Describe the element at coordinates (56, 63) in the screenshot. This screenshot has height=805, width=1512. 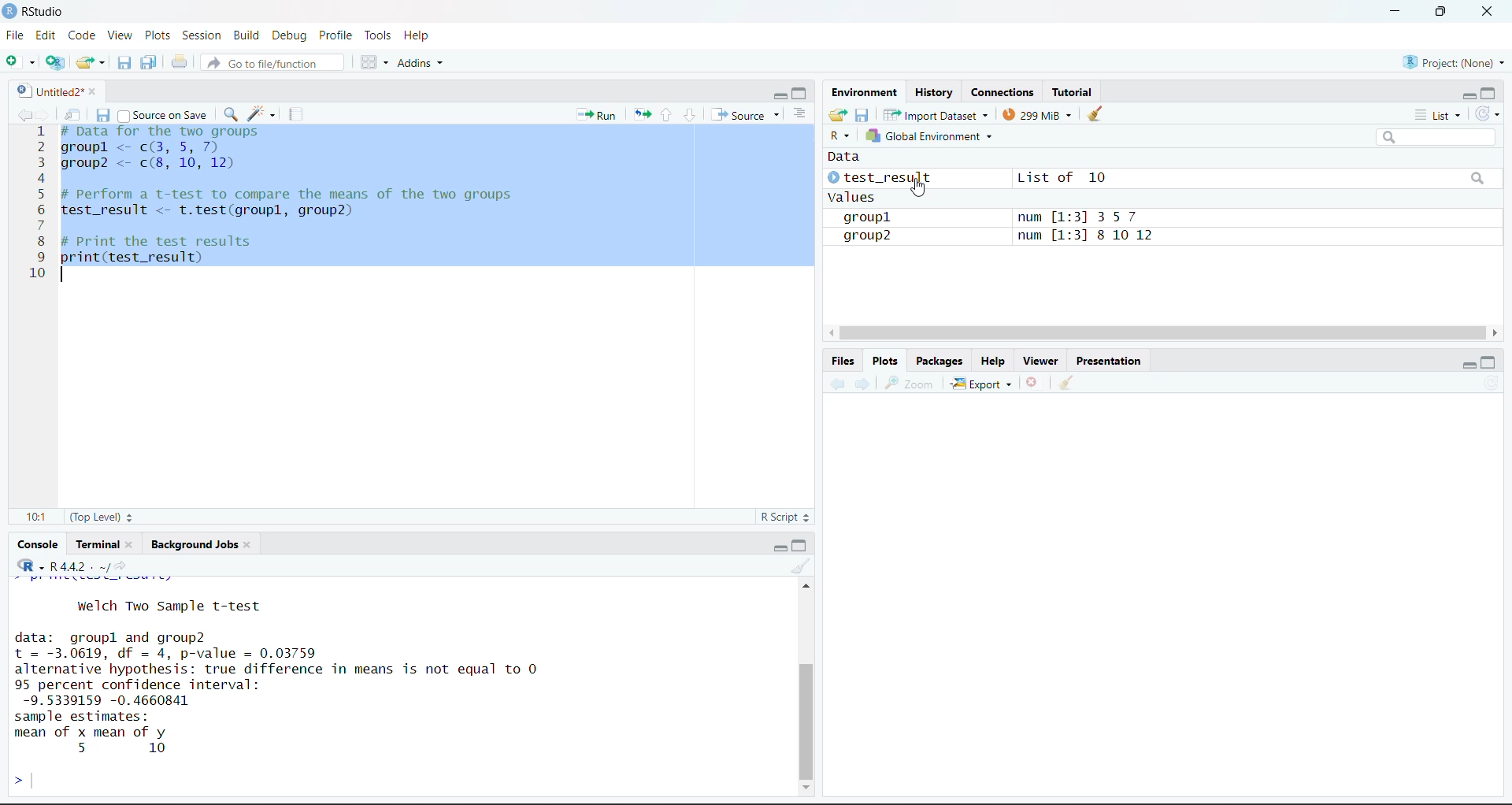
I see `create a project` at that location.